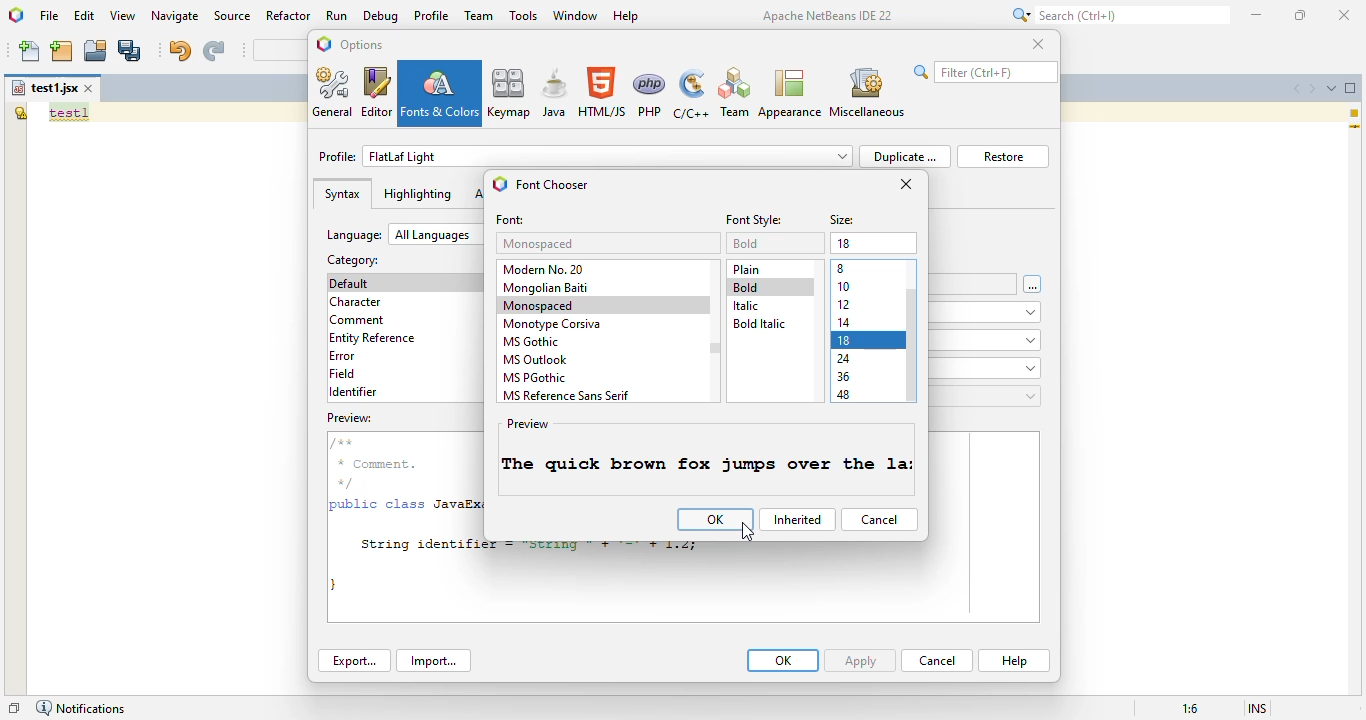 This screenshot has height=720, width=1366. What do you see at coordinates (843, 221) in the screenshot?
I see `size` at bounding box center [843, 221].